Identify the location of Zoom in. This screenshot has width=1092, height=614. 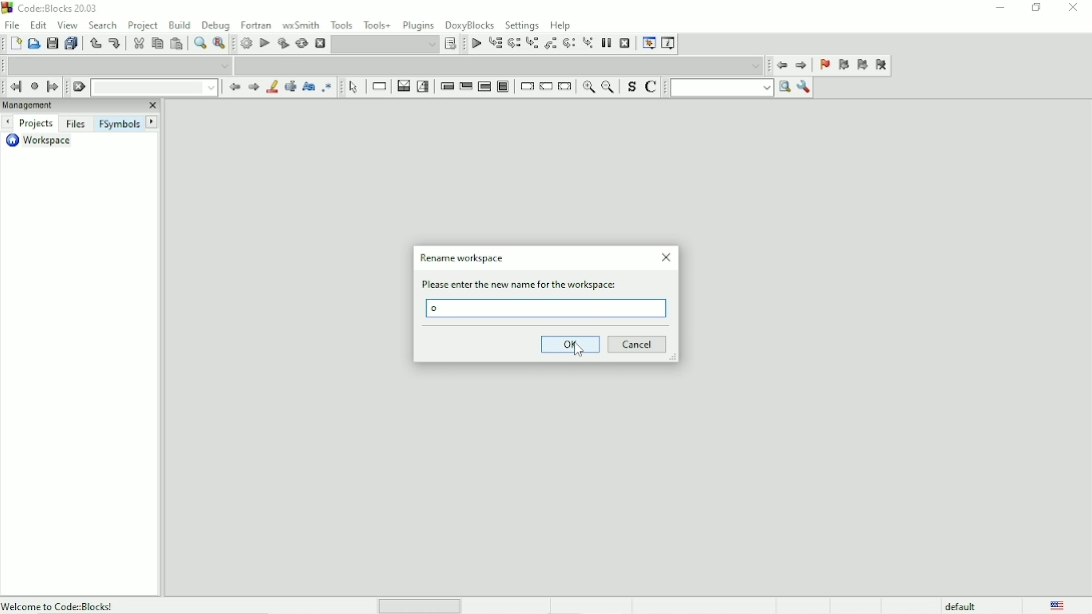
(588, 88).